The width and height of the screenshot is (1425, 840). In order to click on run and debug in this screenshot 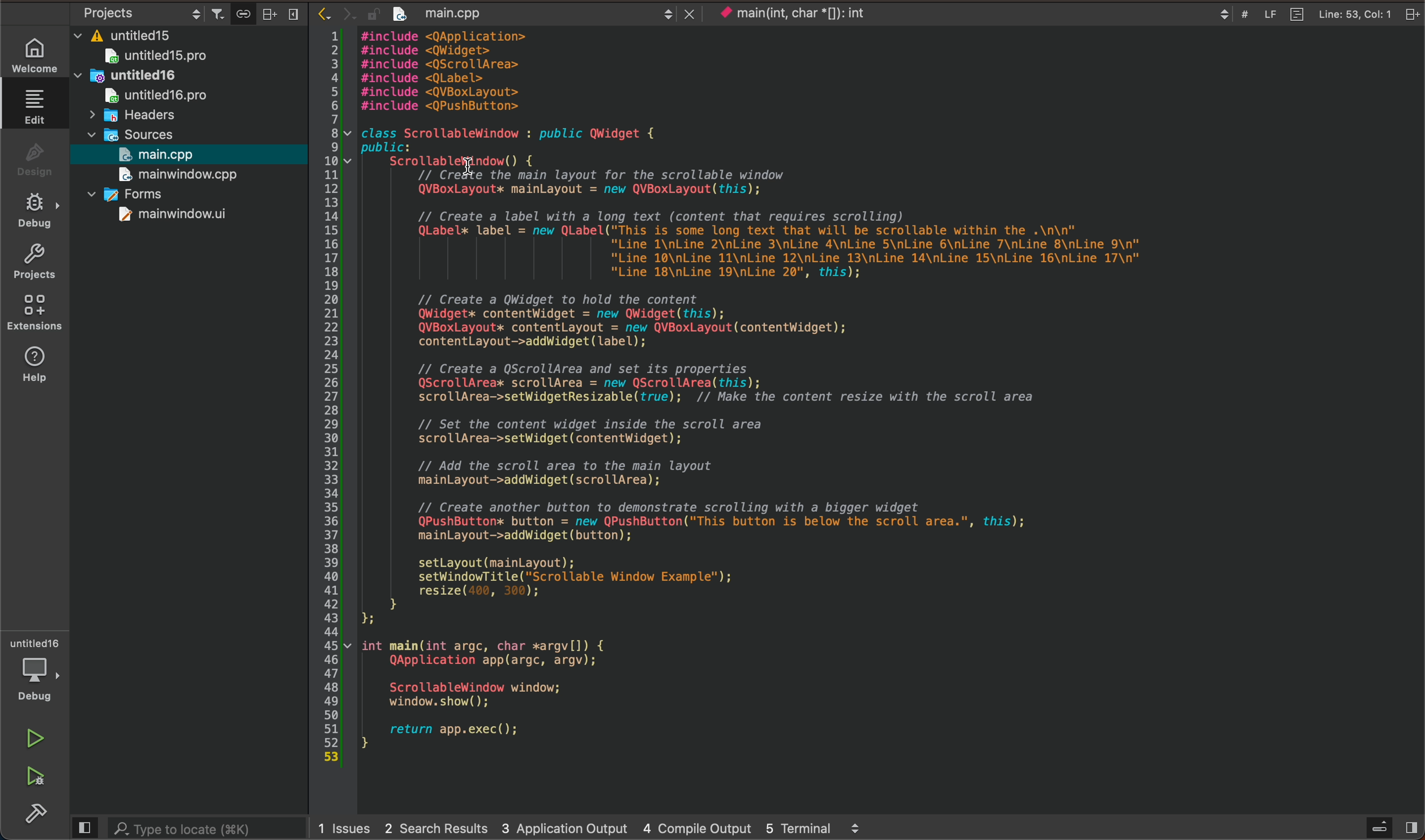, I will do `click(29, 775)`.